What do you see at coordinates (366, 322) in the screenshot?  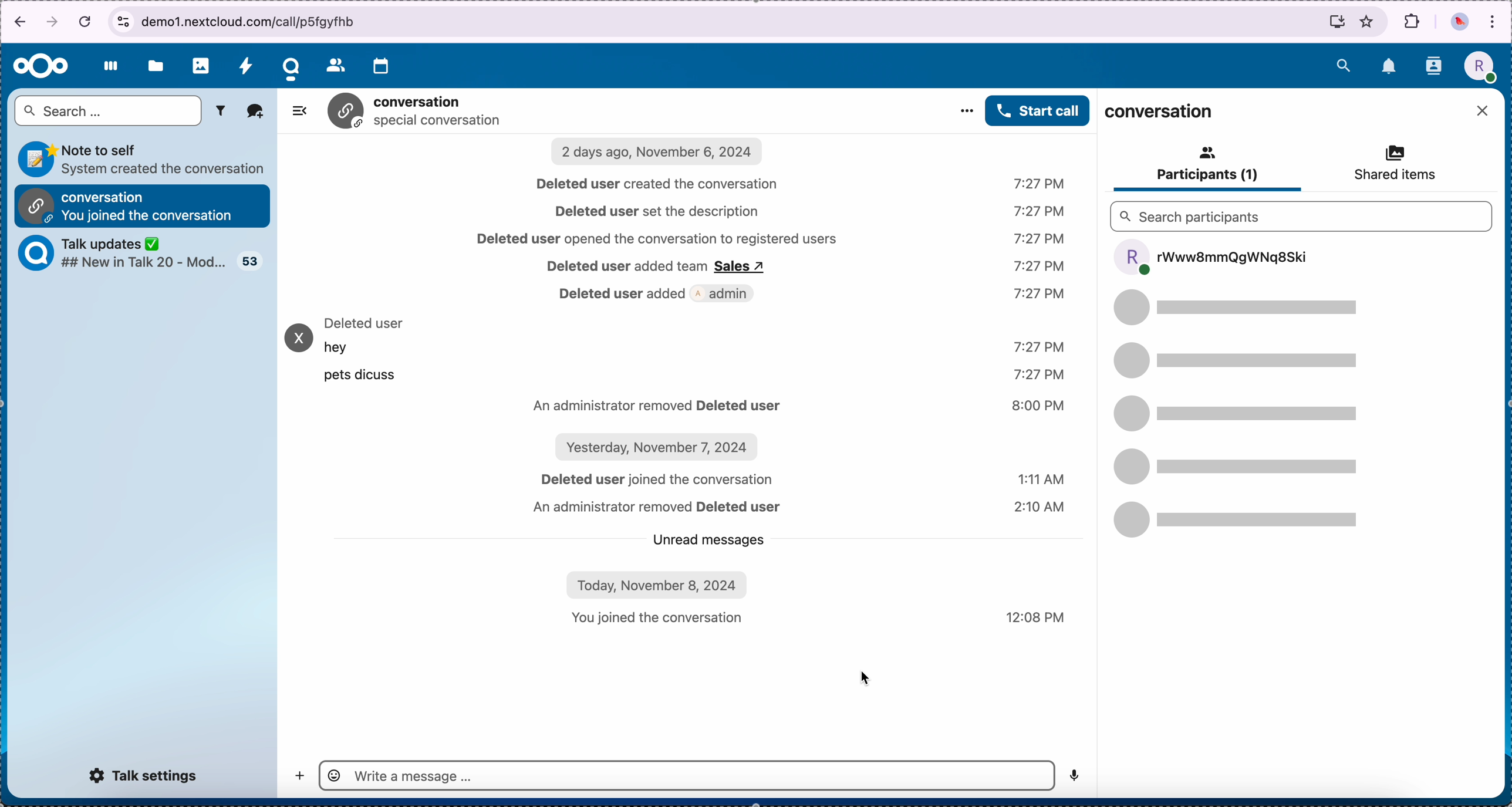 I see `deleted user` at bounding box center [366, 322].